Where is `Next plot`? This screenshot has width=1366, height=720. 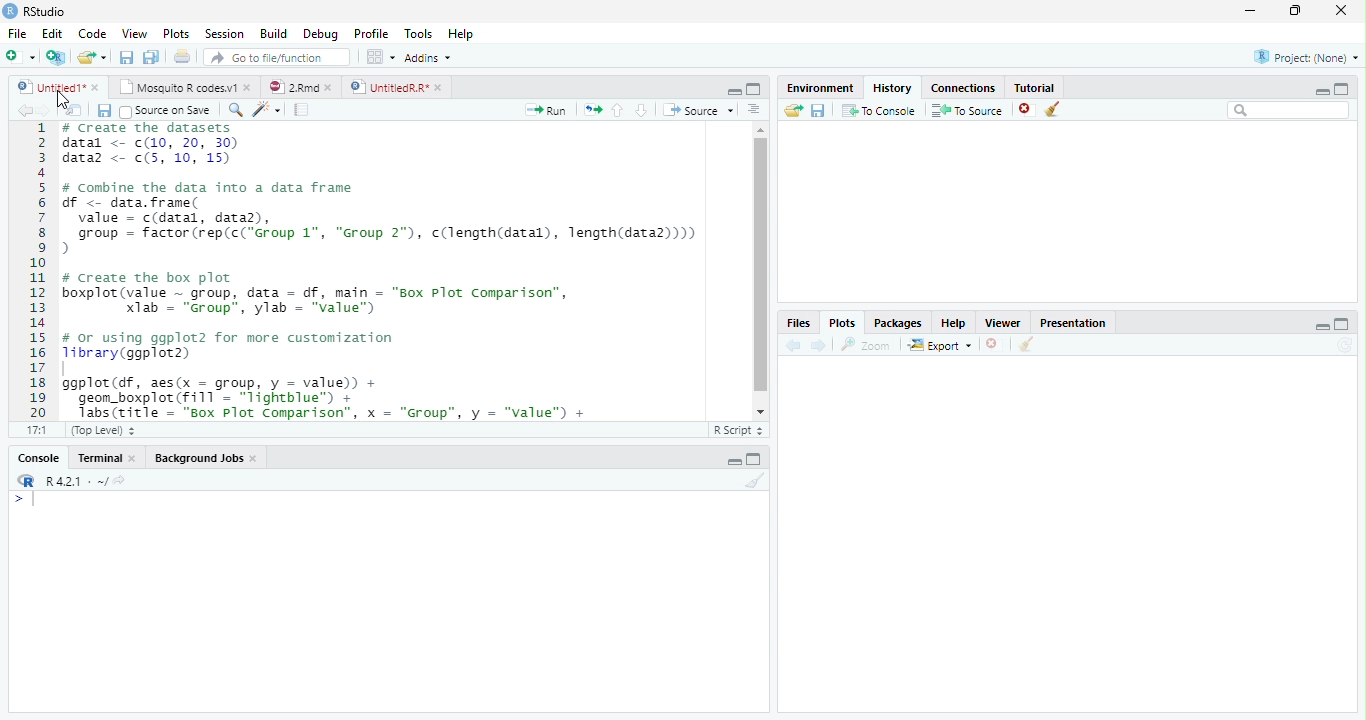
Next plot is located at coordinates (819, 345).